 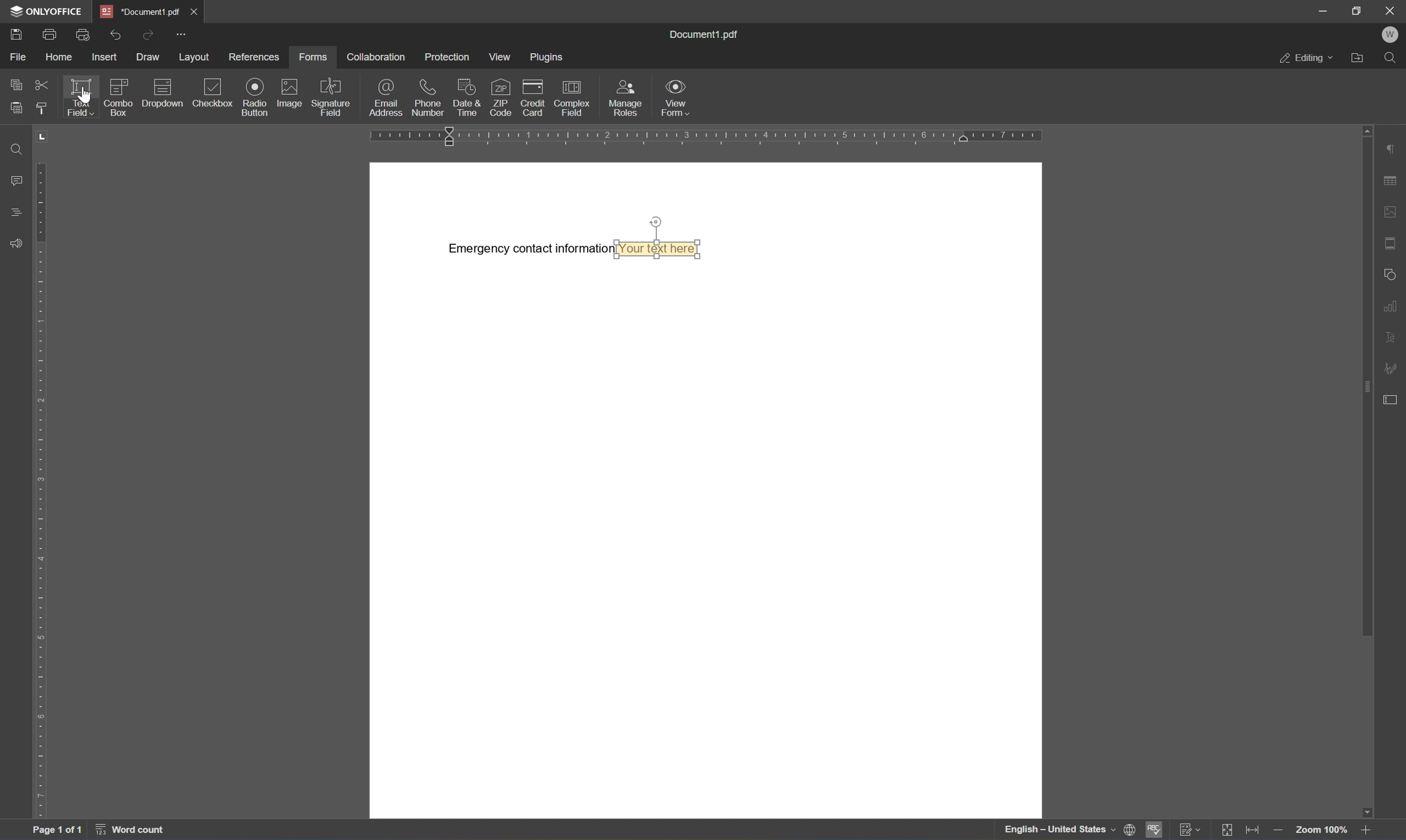 What do you see at coordinates (1286, 832) in the screenshot?
I see `zoom out` at bounding box center [1286, 832].